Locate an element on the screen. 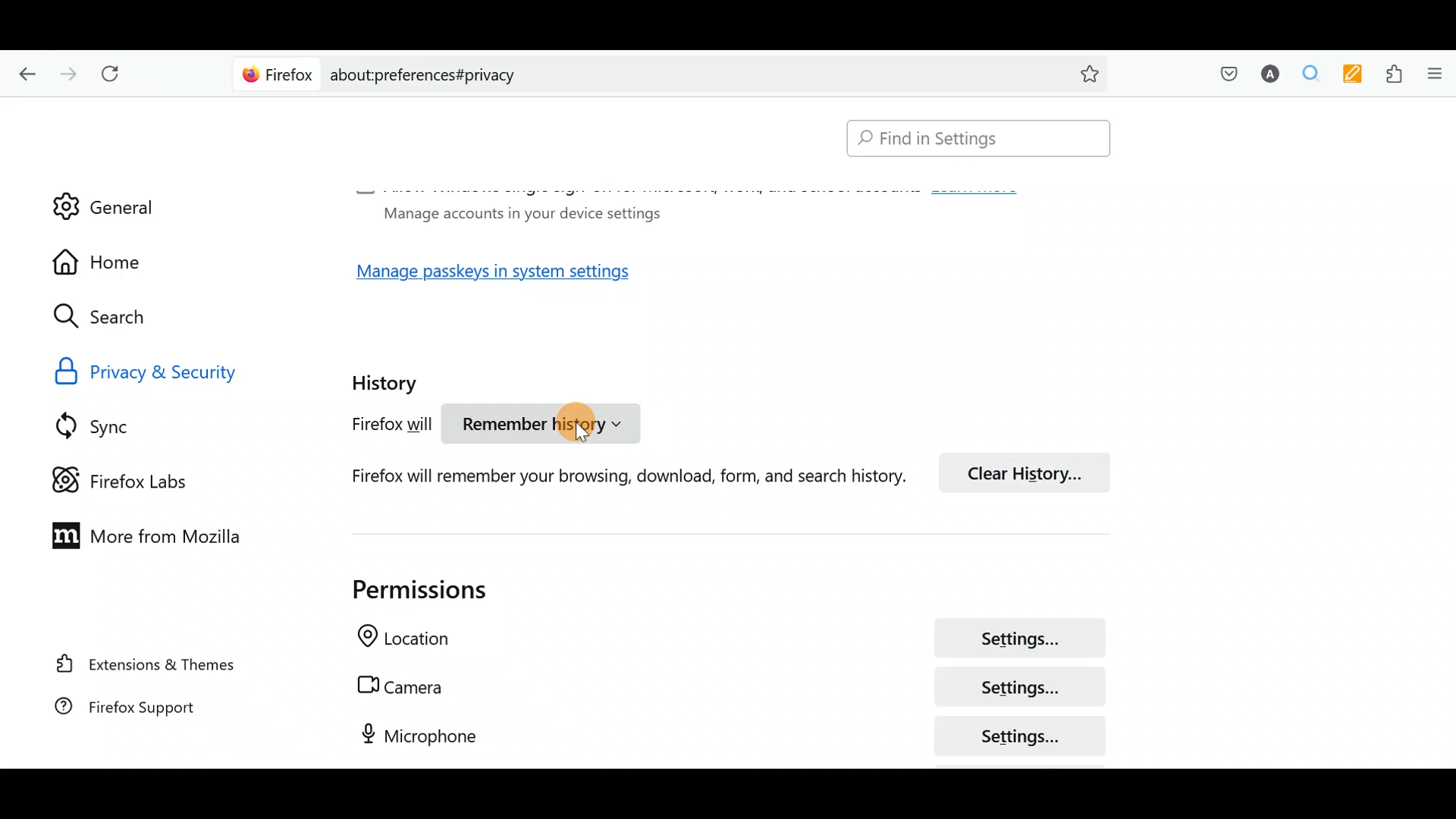  Extension & themes is located at coordinates (149, 667).